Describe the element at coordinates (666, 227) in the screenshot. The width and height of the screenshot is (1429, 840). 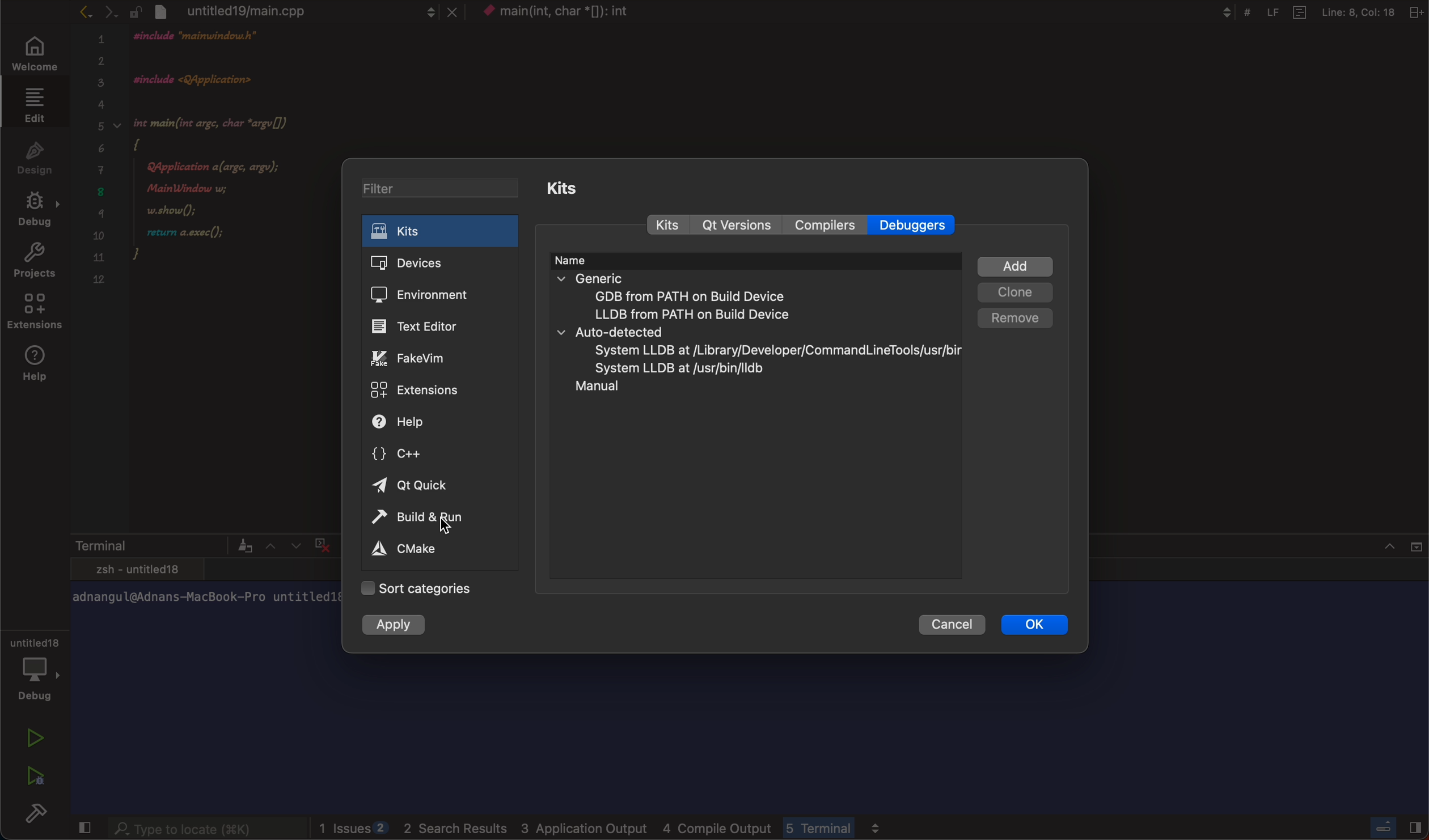
I see `kits` at that location.